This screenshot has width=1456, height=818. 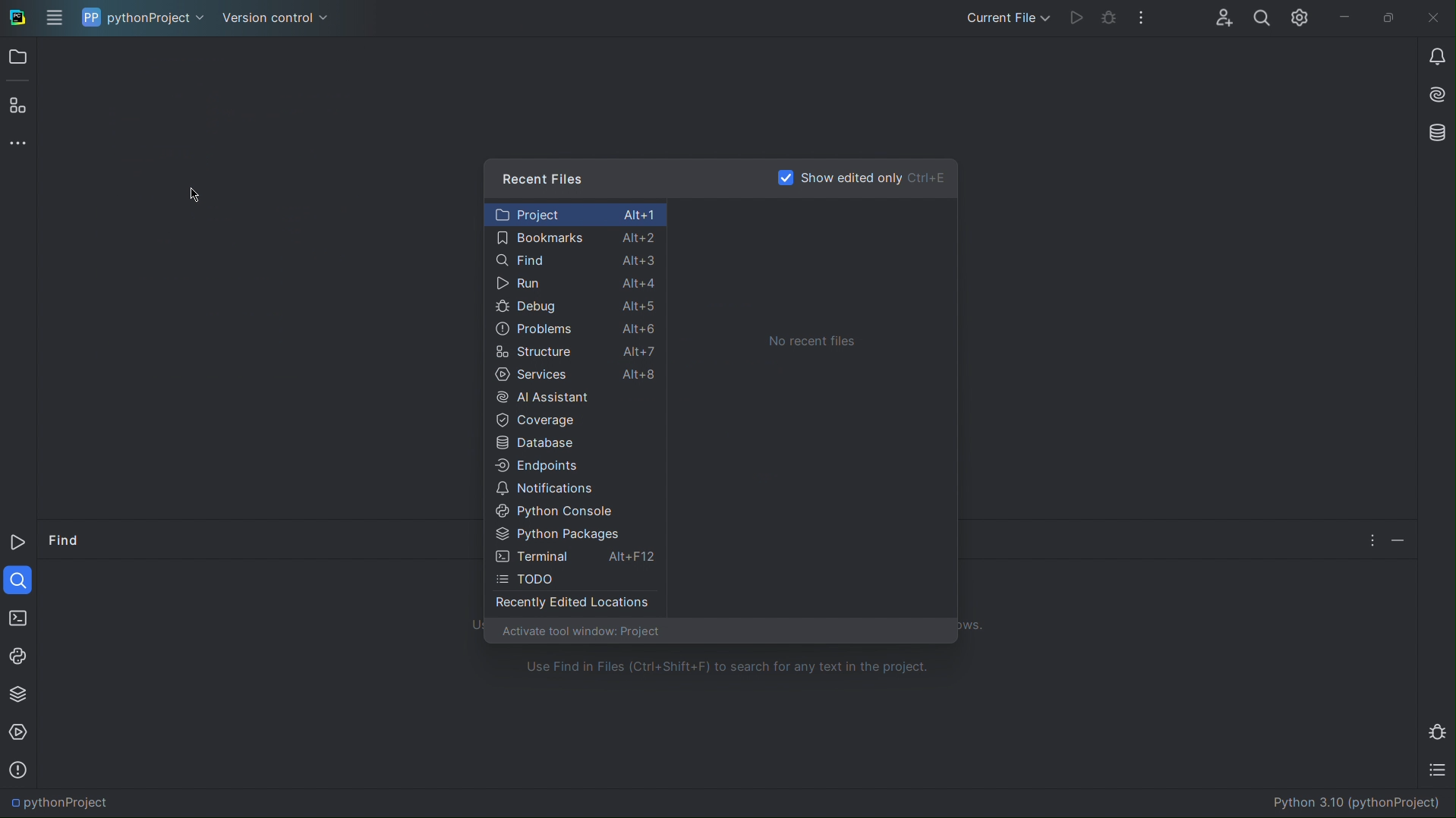 I want to click on Problems, so click(x=17, y=769).